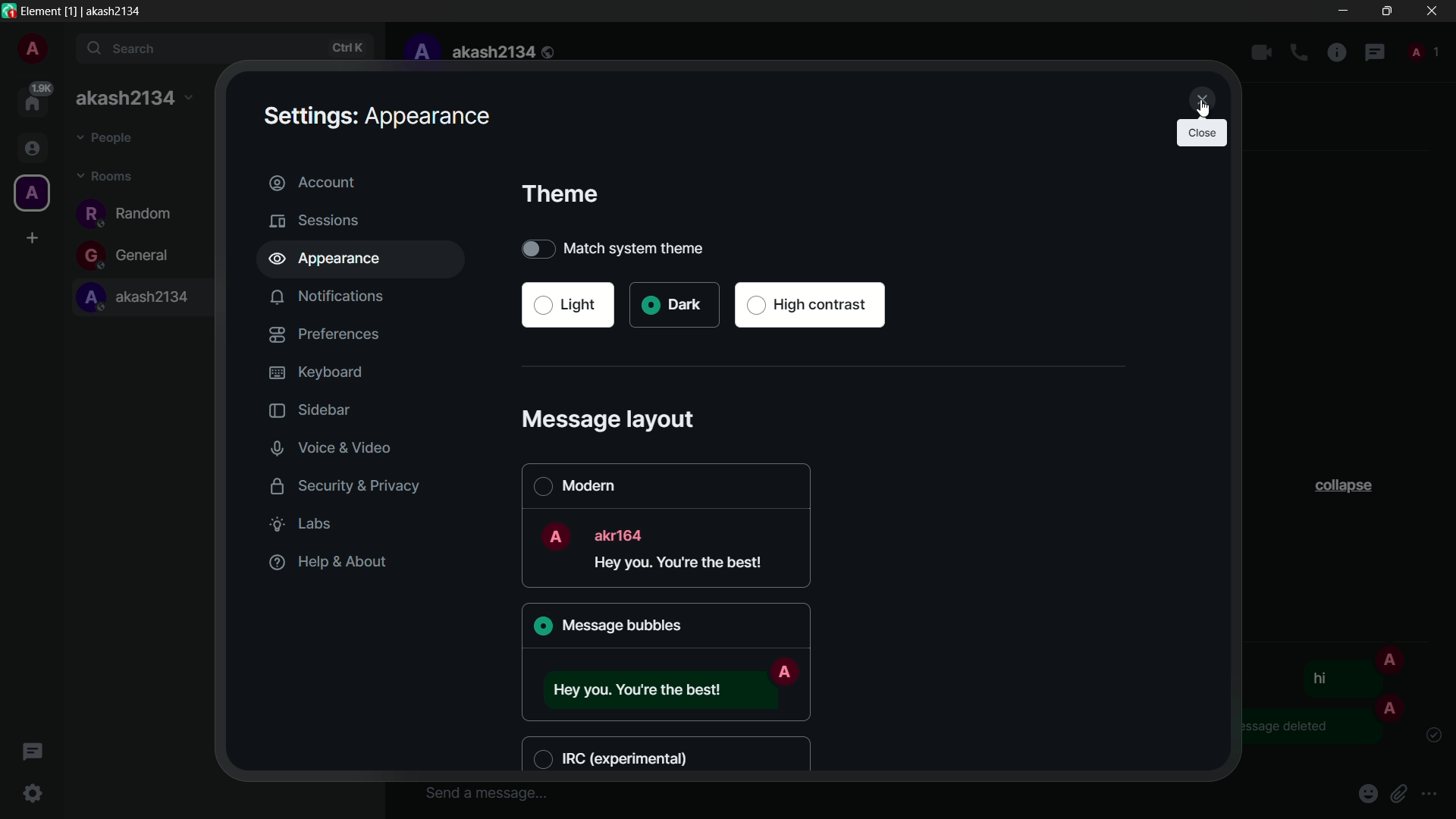 Image resolution: width=1456 pixels, height=819 pixels. I want to click on profile icon, so click(1390, 705).